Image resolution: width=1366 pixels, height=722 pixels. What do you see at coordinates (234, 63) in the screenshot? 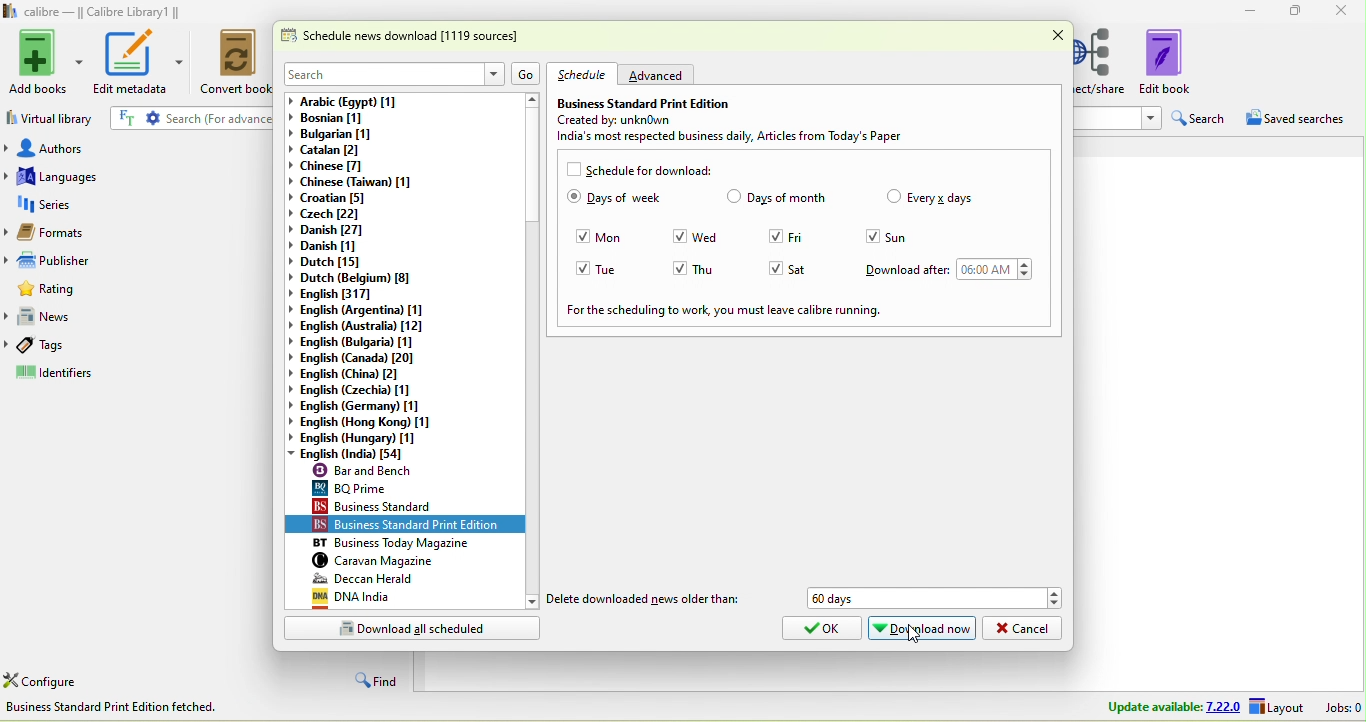
I see `convert books` at bounding box center [234, 63].